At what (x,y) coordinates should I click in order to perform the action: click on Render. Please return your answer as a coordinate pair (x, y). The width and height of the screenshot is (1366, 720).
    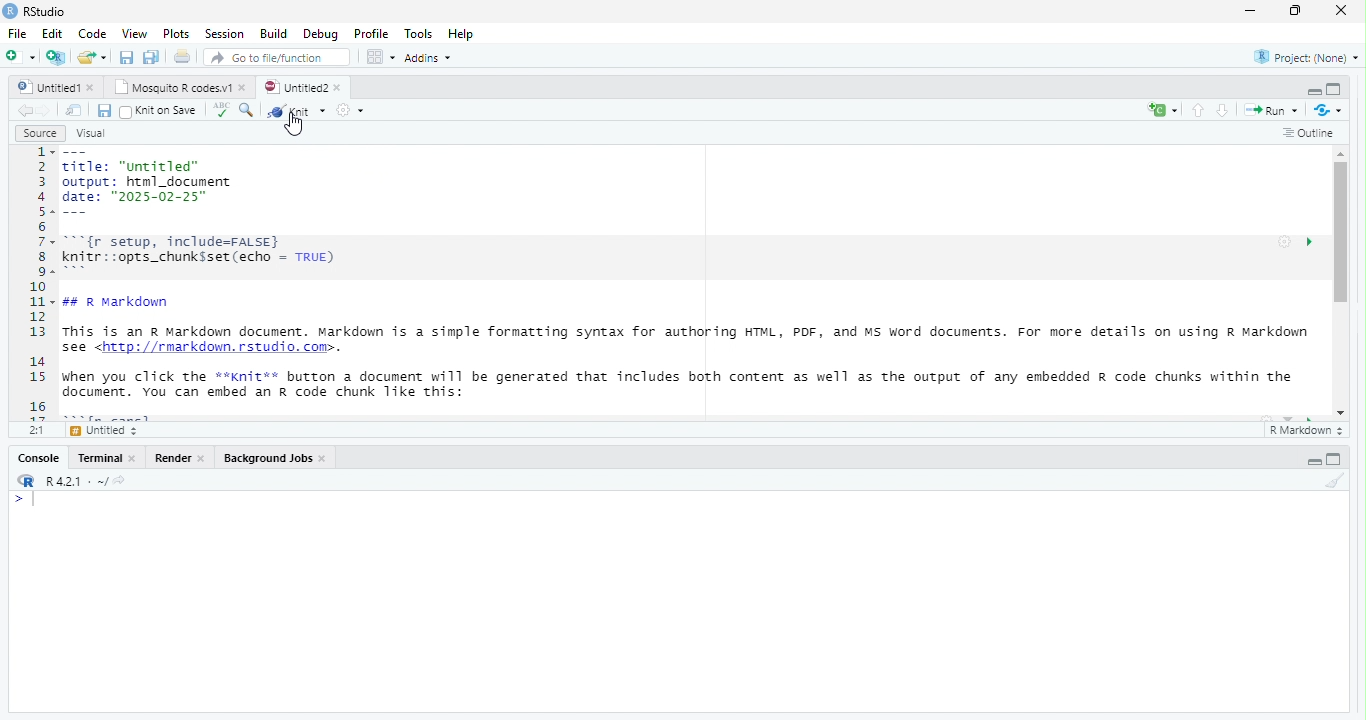
    Looking at the image, I should click on (174, 458).